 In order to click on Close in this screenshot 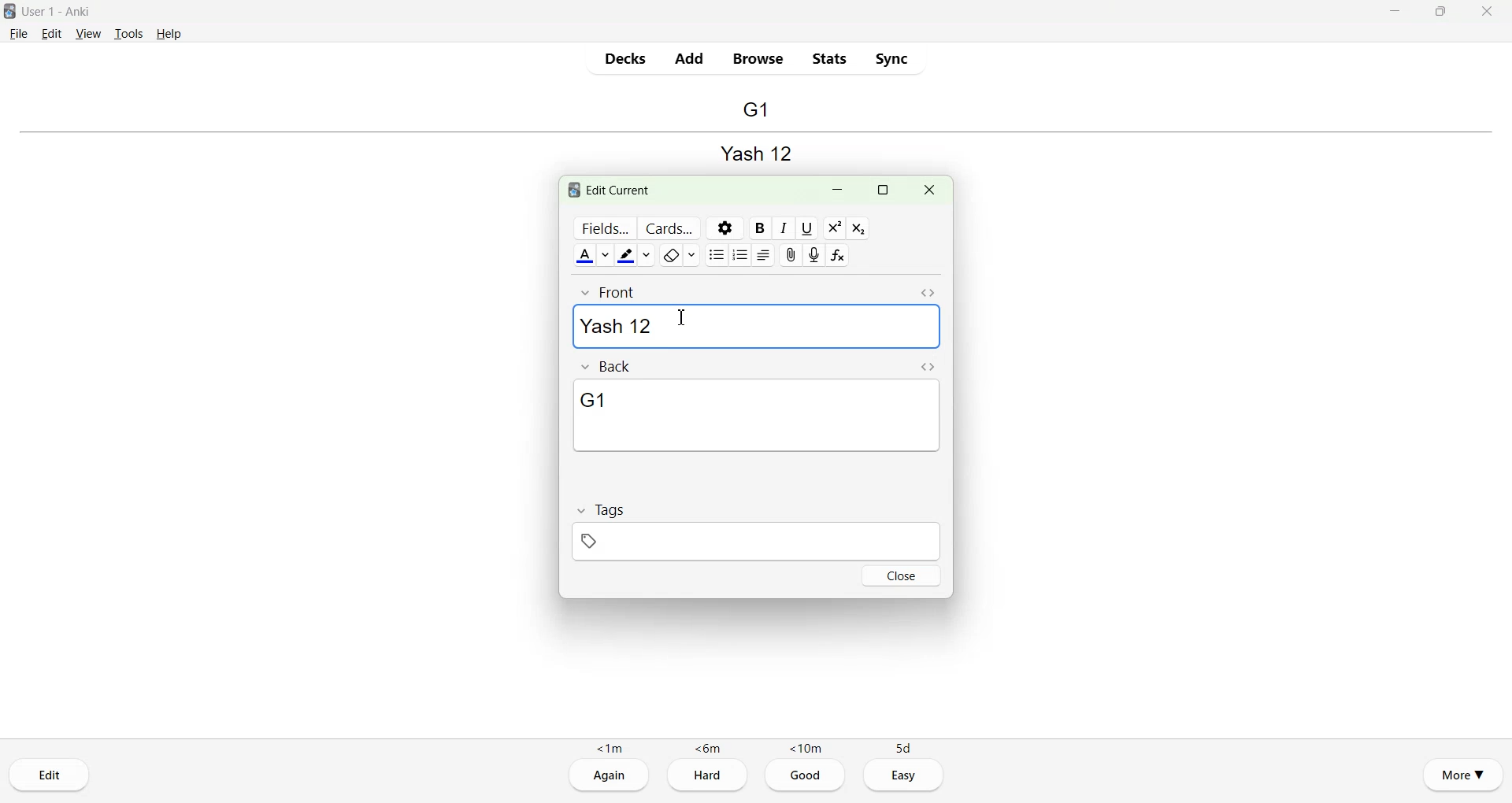, I will do `click(902, 575)`.